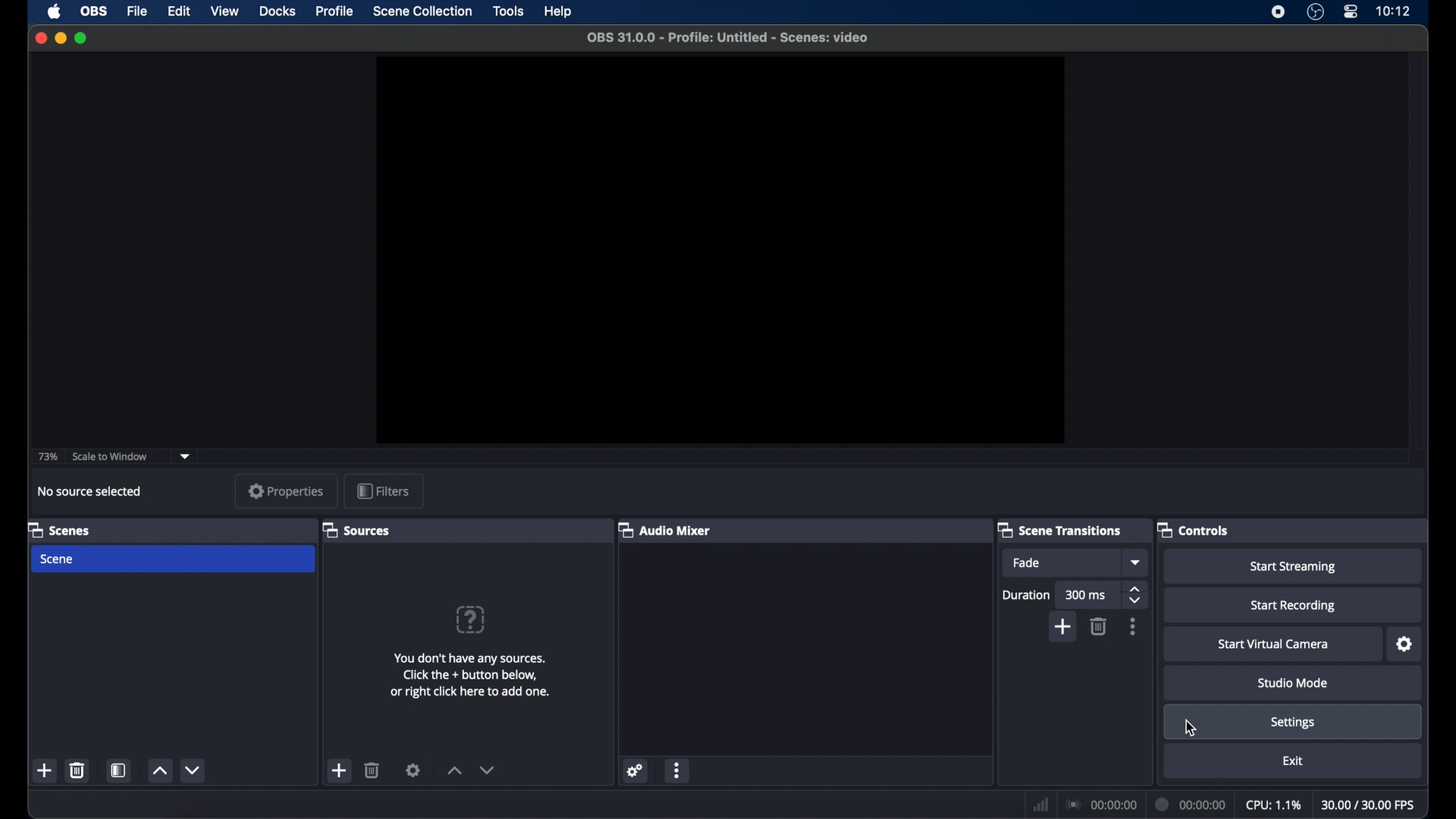  I want to click on controls, so click(1194, 529).